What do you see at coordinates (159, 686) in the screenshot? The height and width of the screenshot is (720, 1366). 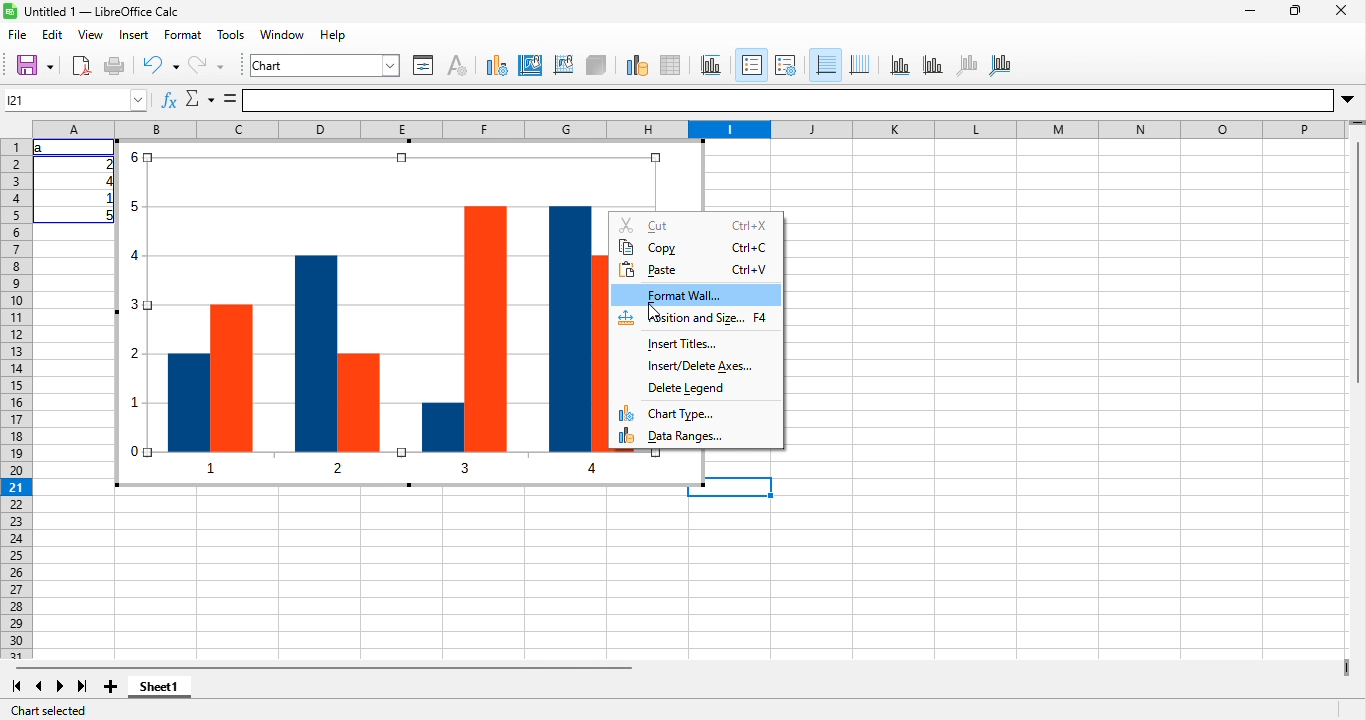 I see `sheet1` at bounding box center [159, 686].